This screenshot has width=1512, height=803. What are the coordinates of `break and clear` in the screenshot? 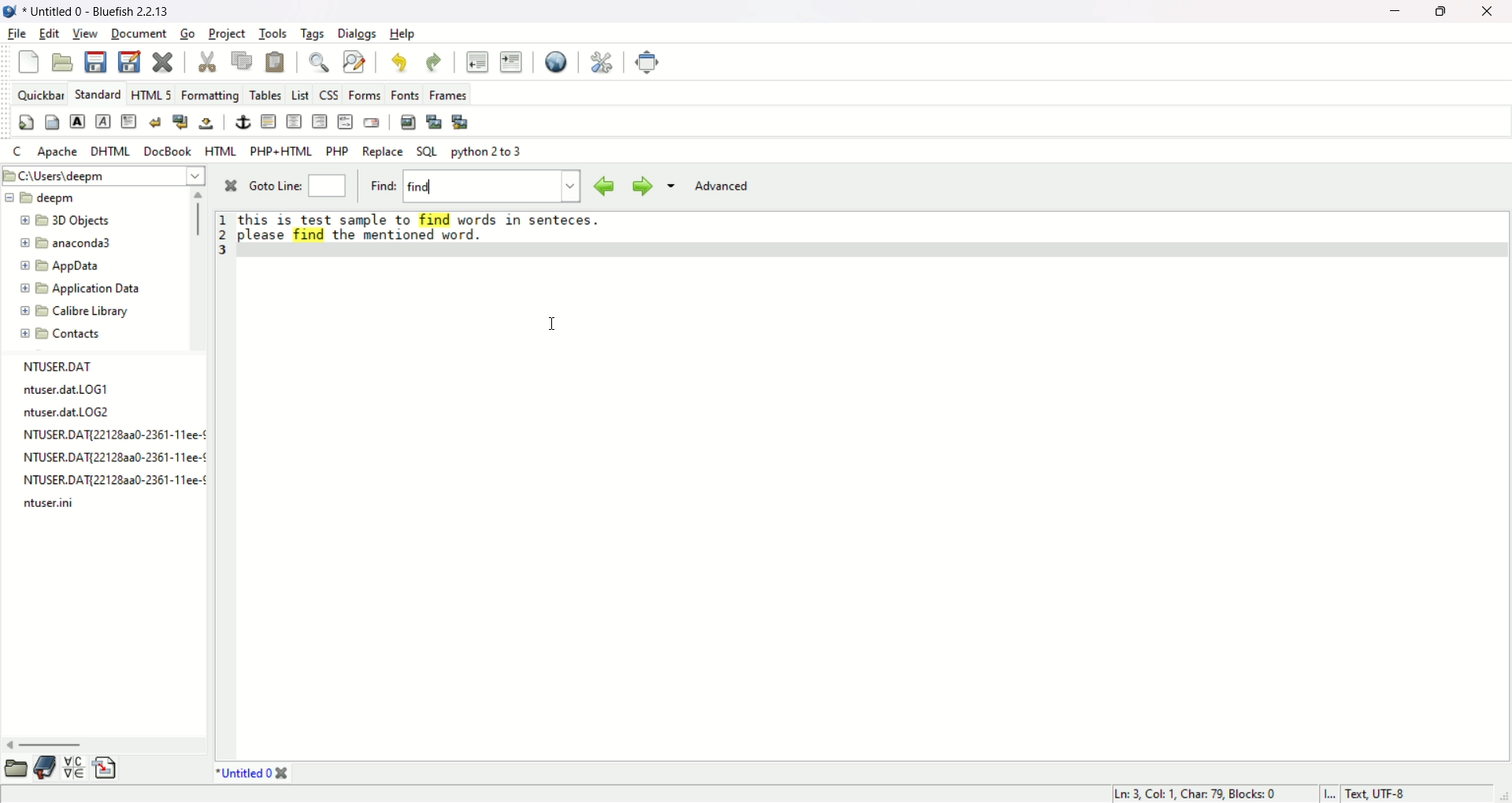 It's located at (177, 122).